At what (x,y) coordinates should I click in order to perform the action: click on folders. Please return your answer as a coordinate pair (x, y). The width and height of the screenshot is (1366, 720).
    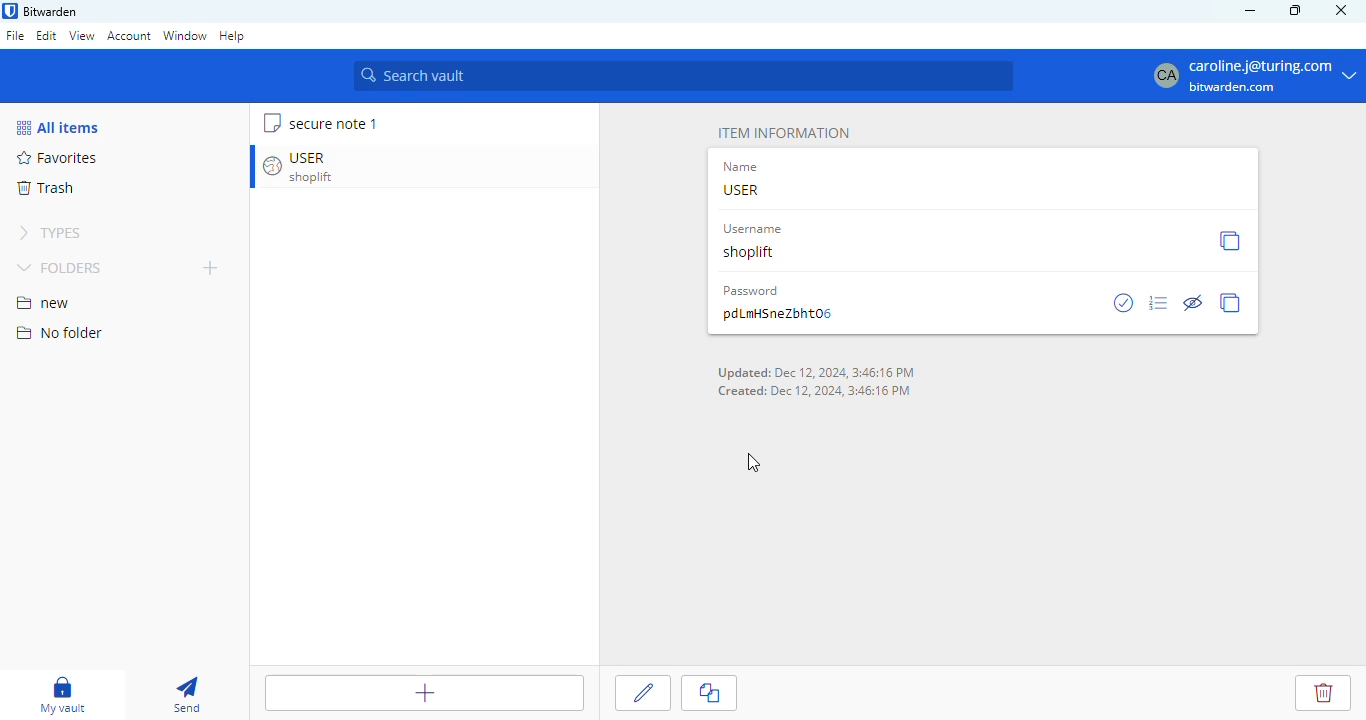
    Looking at the image, I should click on (64, 267).